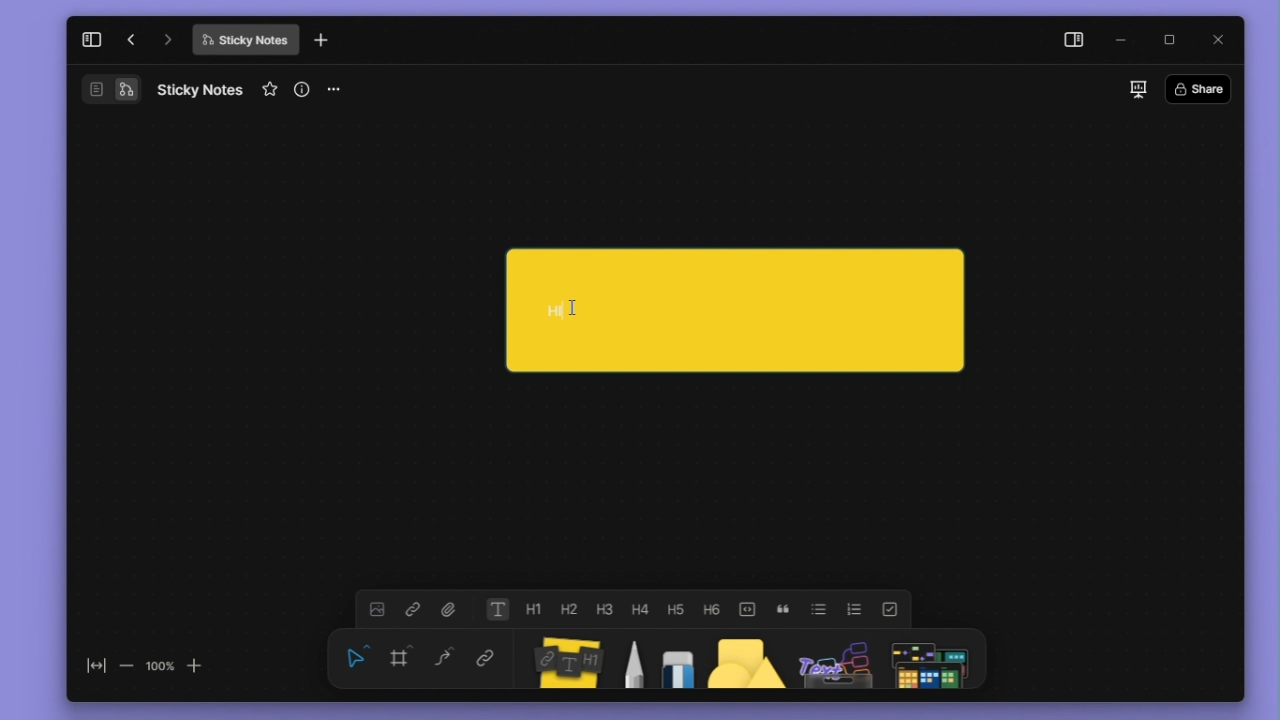 Image resolution: width=1280 pixels, height=720 pixels. Describe the element at coordinates (243, 43) in the screenshot. I see `Sticky Notes` at that location.